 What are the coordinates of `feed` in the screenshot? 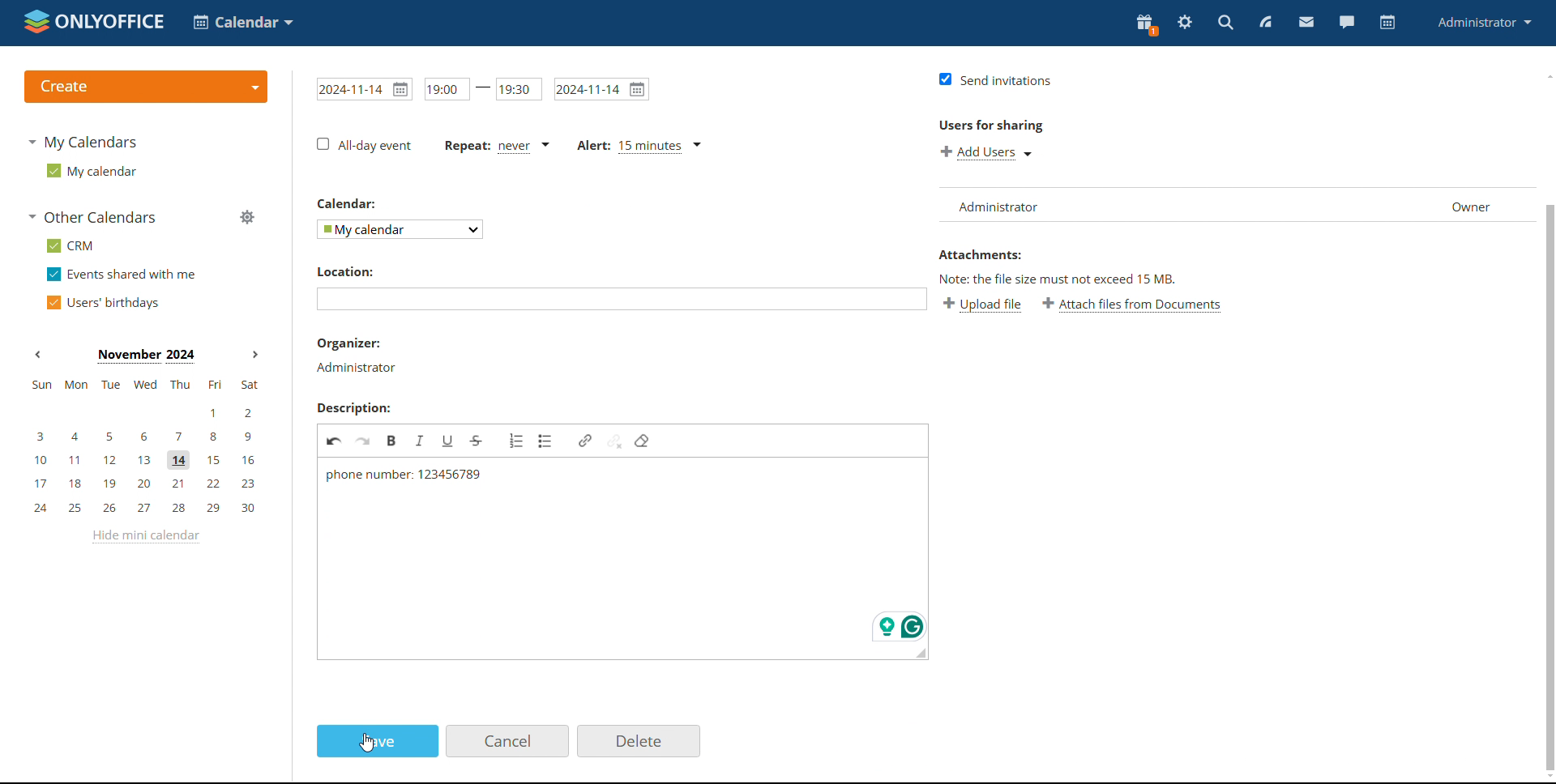 It's located at (1266, 23).